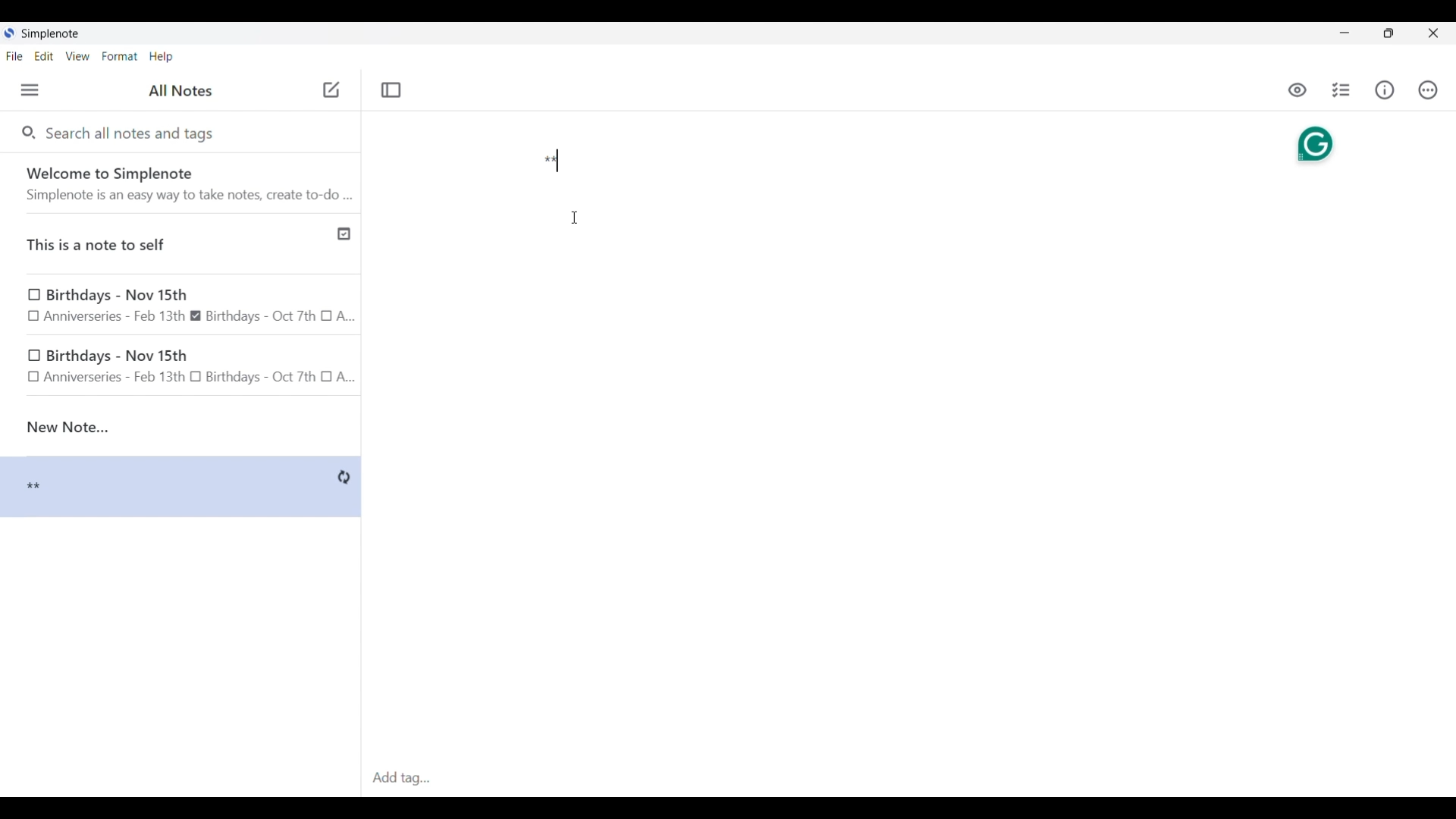  I want to click on Typing in more text, so click(558, 160).